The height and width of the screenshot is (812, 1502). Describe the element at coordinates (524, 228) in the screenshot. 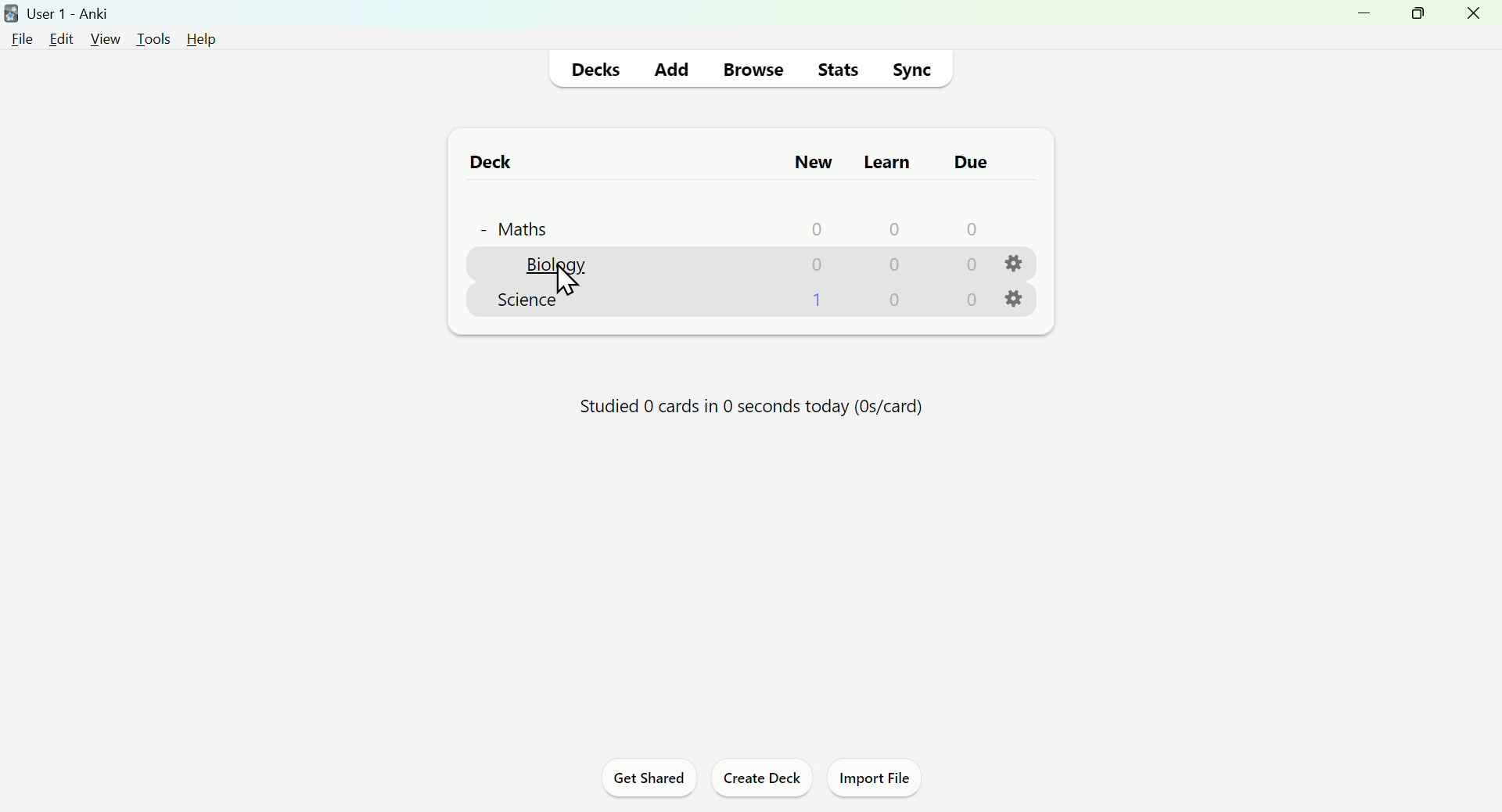

I see `+ Maths` at that location.